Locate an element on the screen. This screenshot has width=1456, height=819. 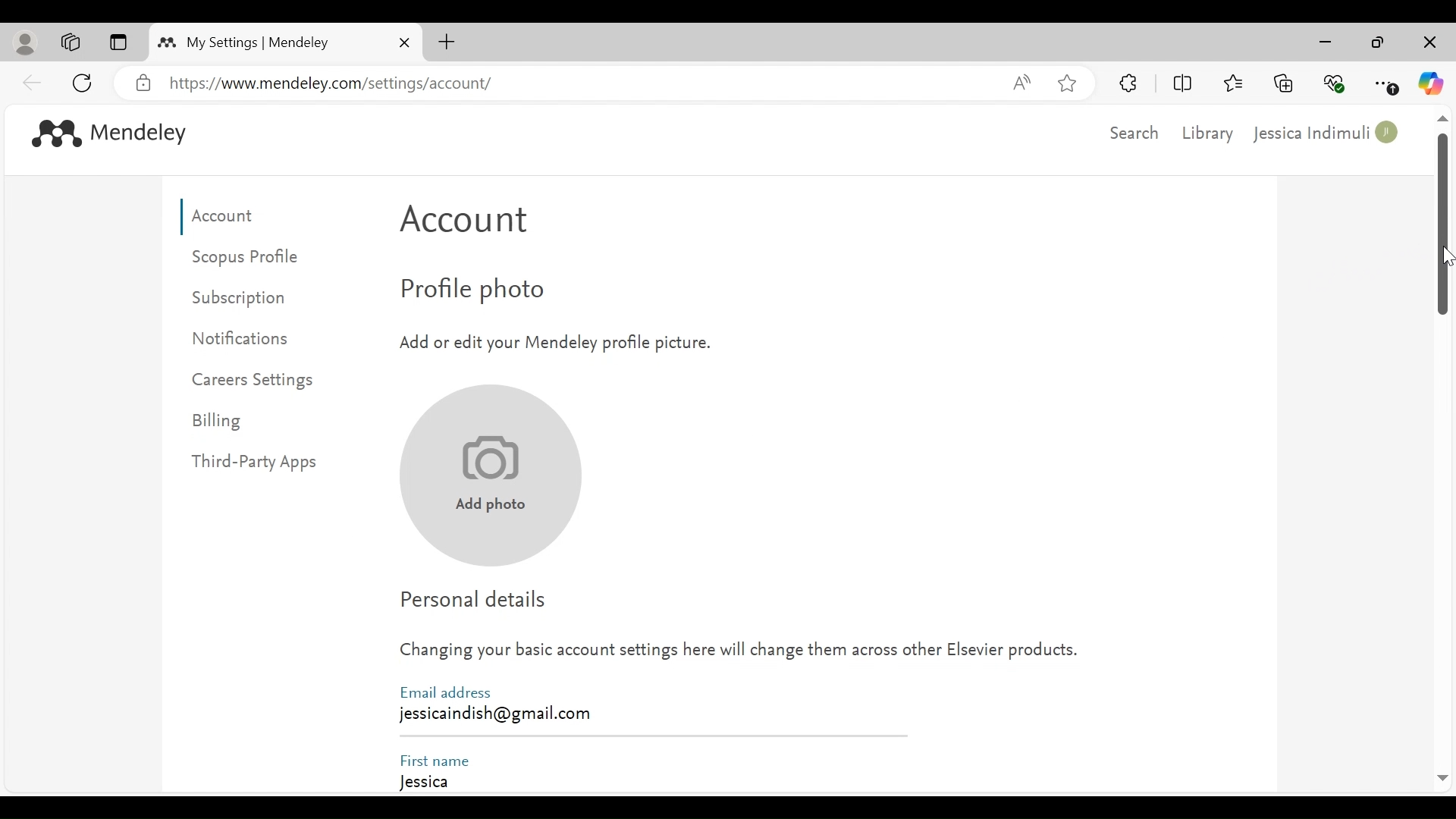
Read aloud this page is located at coordinates (1021, 82).